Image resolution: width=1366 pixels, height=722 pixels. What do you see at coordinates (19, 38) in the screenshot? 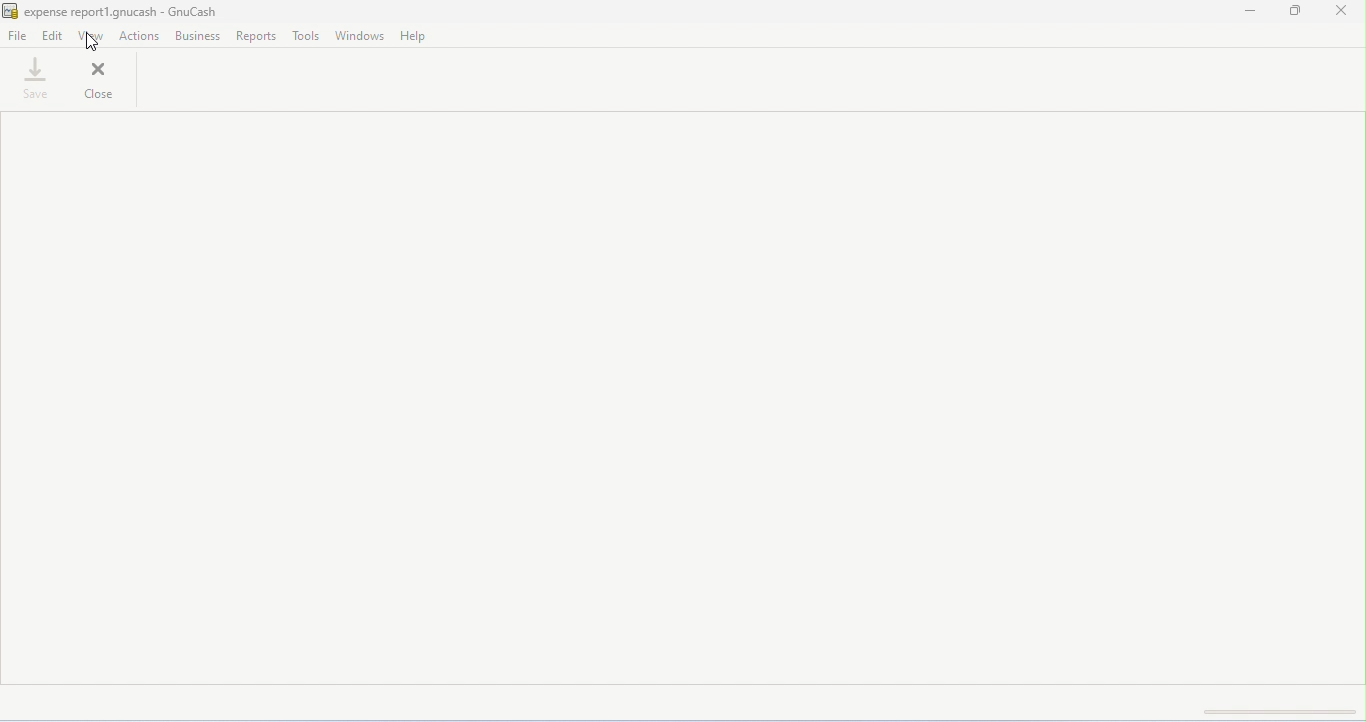
I see `file` at bounding box center [19, 38].